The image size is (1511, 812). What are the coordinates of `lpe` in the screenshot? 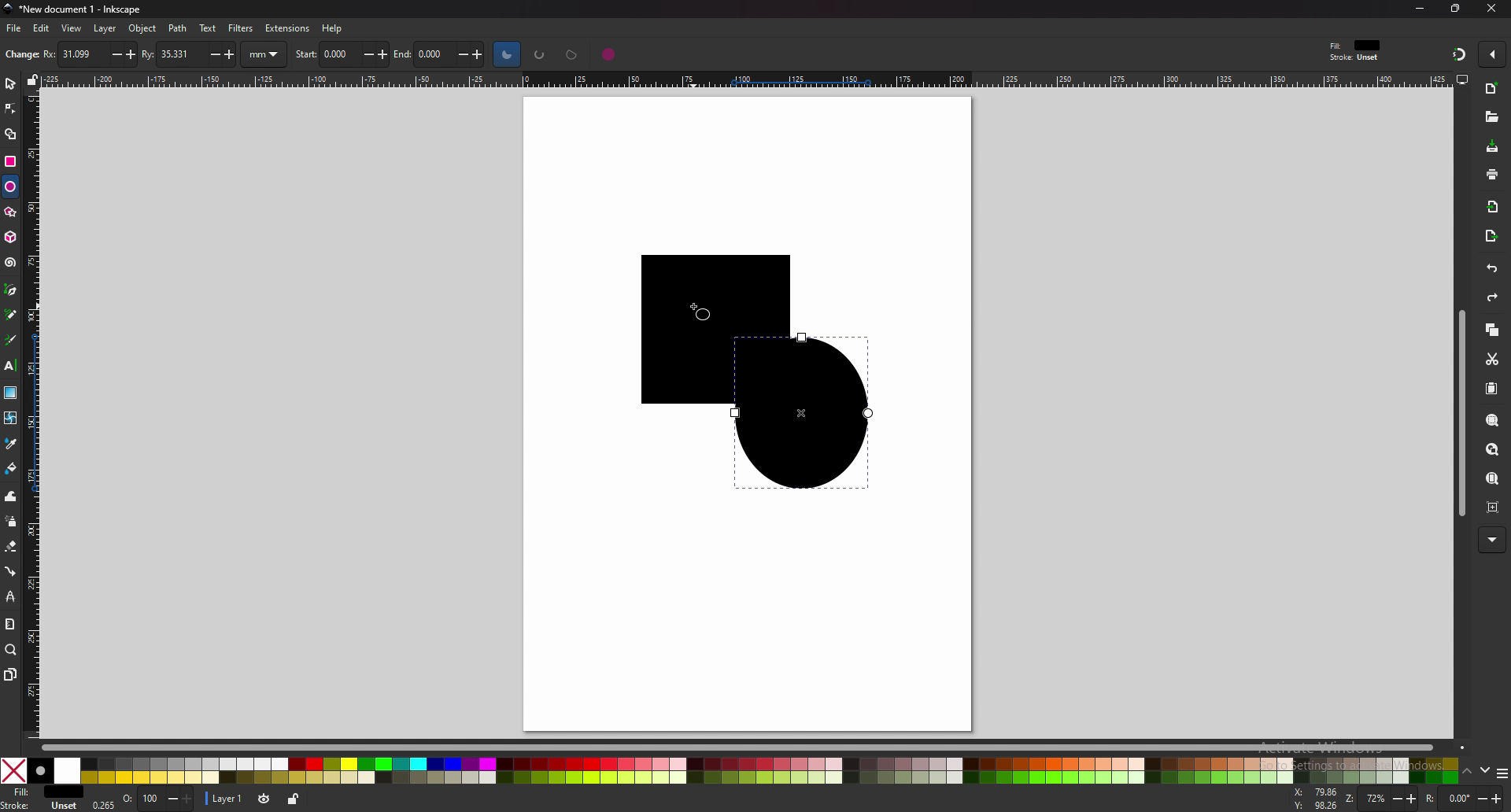 It's located at (11, 596).